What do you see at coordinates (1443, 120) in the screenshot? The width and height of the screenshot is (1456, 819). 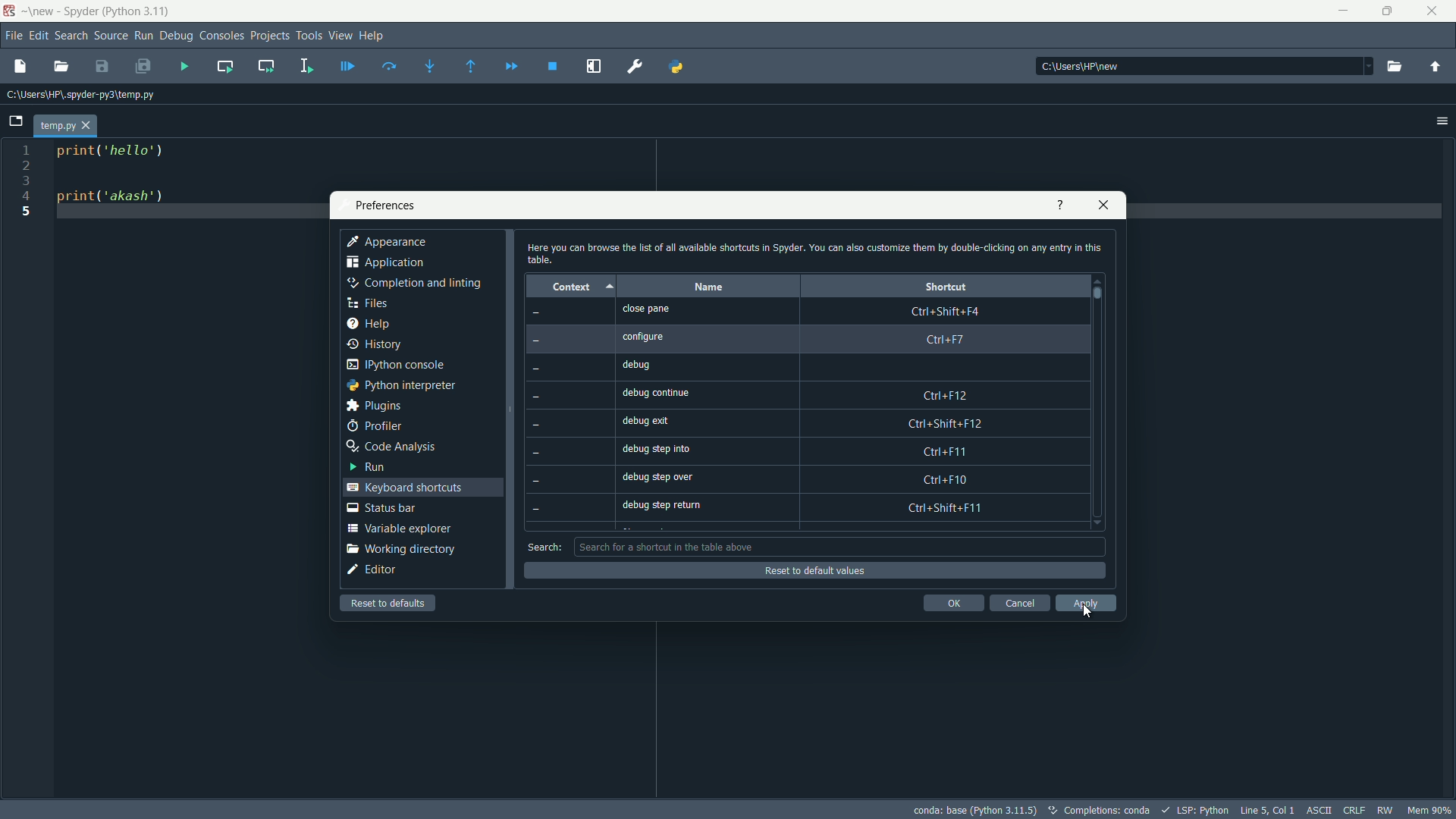 I see `options` at bounding box center [1443, 120].